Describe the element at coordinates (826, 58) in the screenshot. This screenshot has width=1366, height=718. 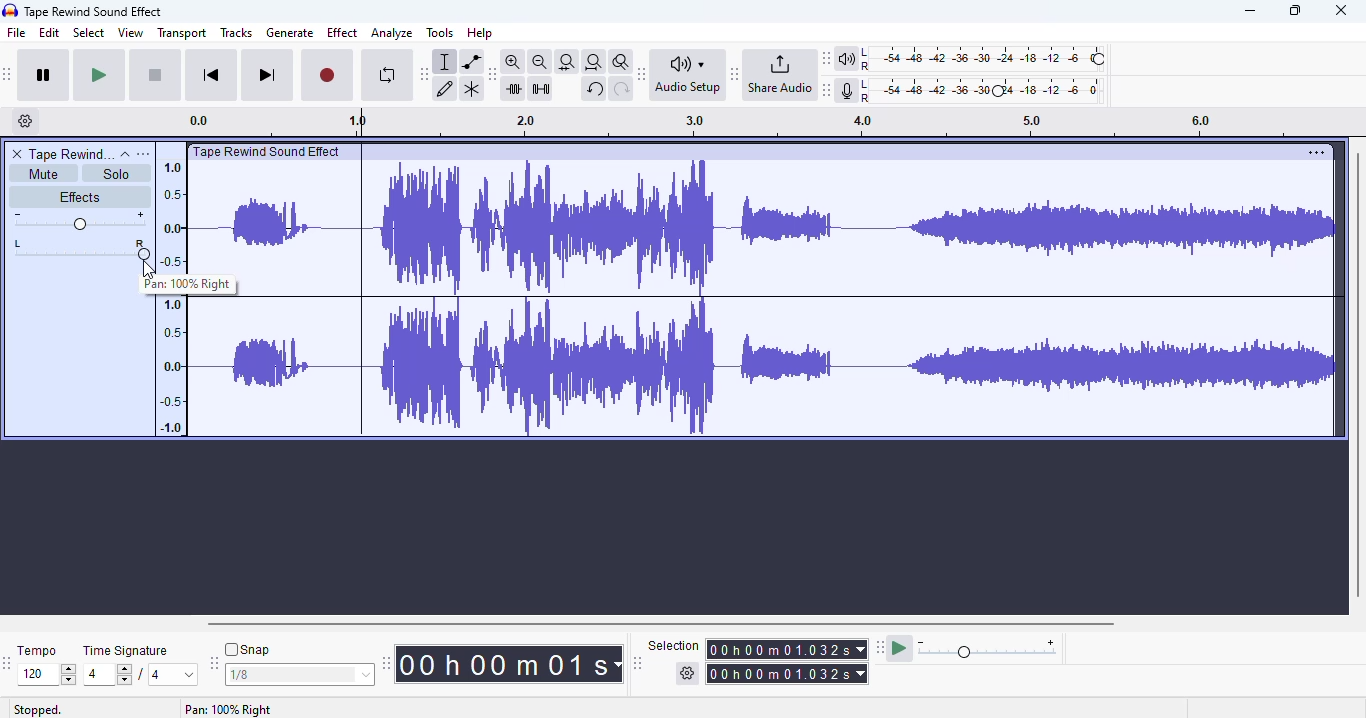
I see `audacity playback meter toolbar` at that location.